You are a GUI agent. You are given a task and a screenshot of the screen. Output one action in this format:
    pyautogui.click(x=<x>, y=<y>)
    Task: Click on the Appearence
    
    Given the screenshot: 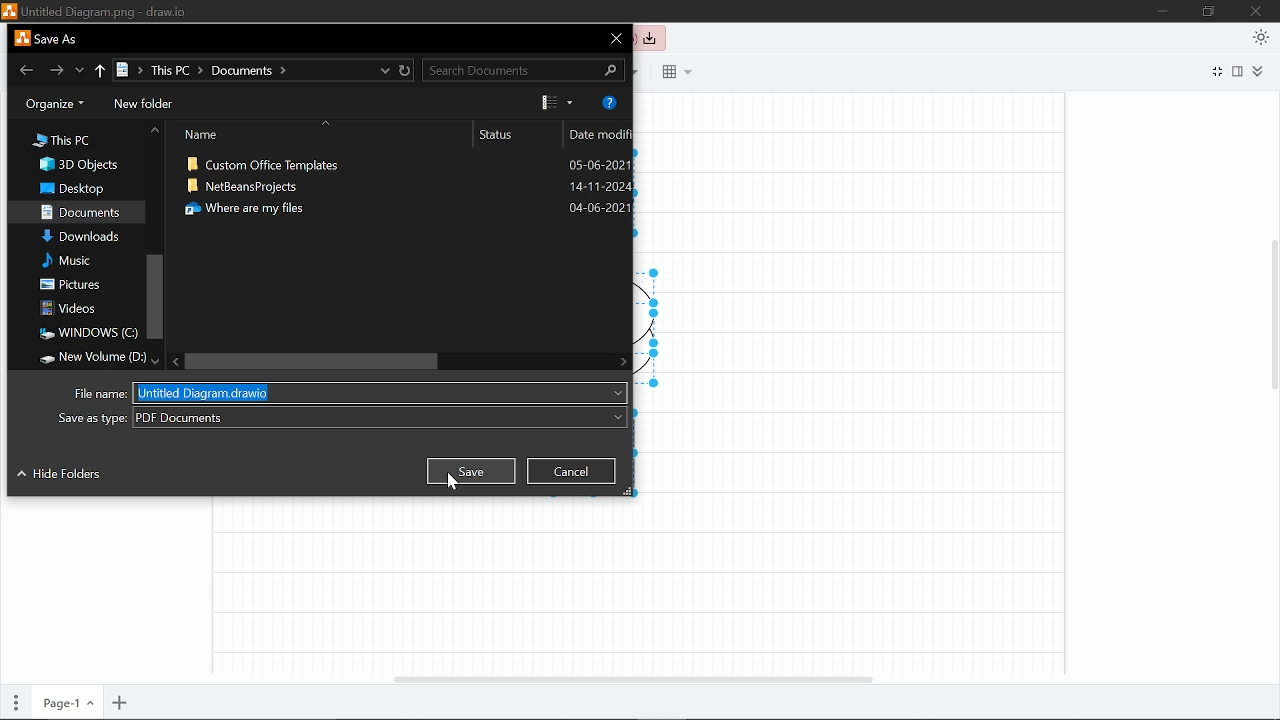 What is the action you would take?
    pyautogui.click(x=1261, y=37)
    